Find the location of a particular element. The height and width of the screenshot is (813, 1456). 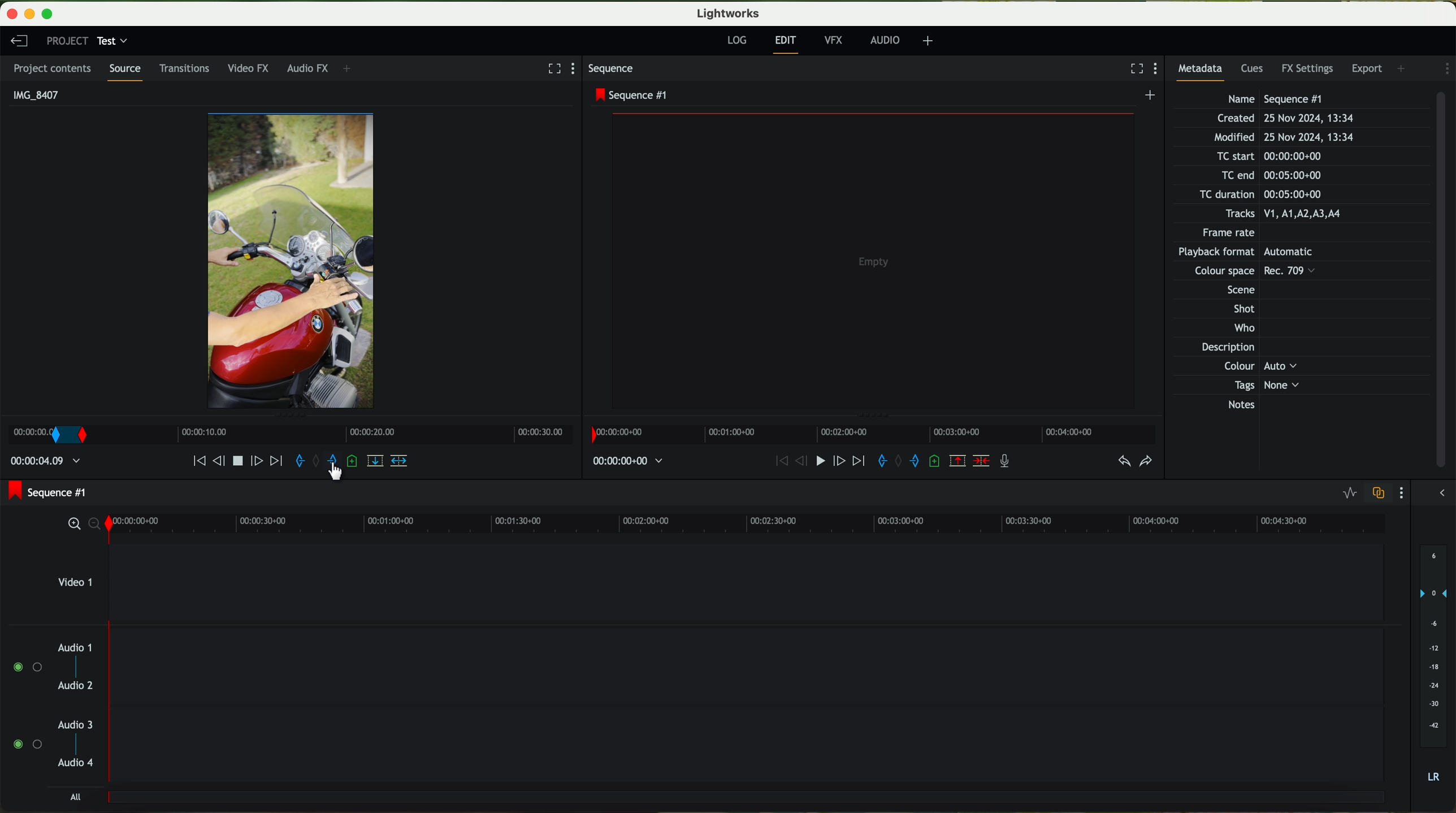

audio FX is located at coordinates (306, 68).